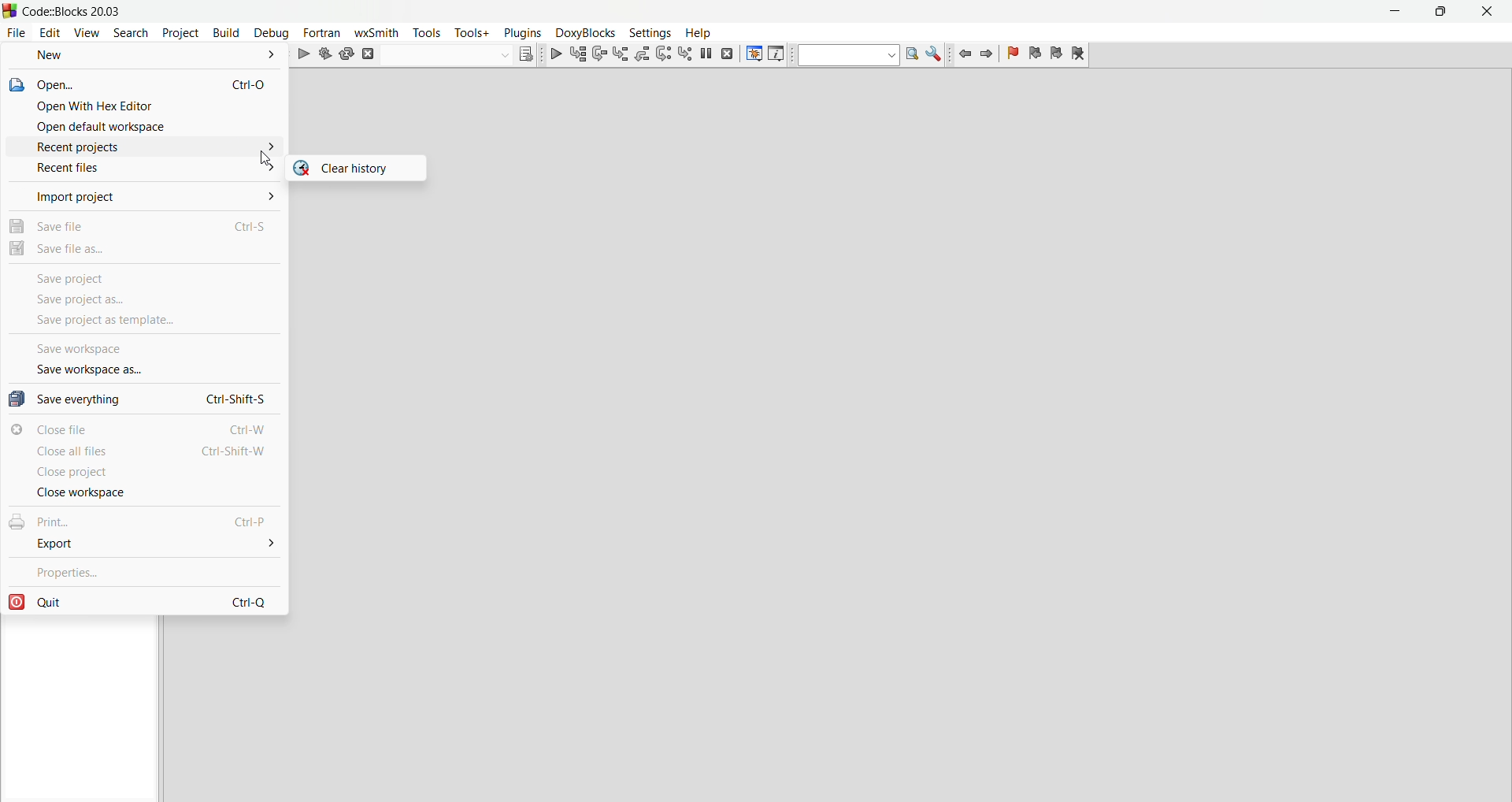  I want to click on close file, so click(145, 428).